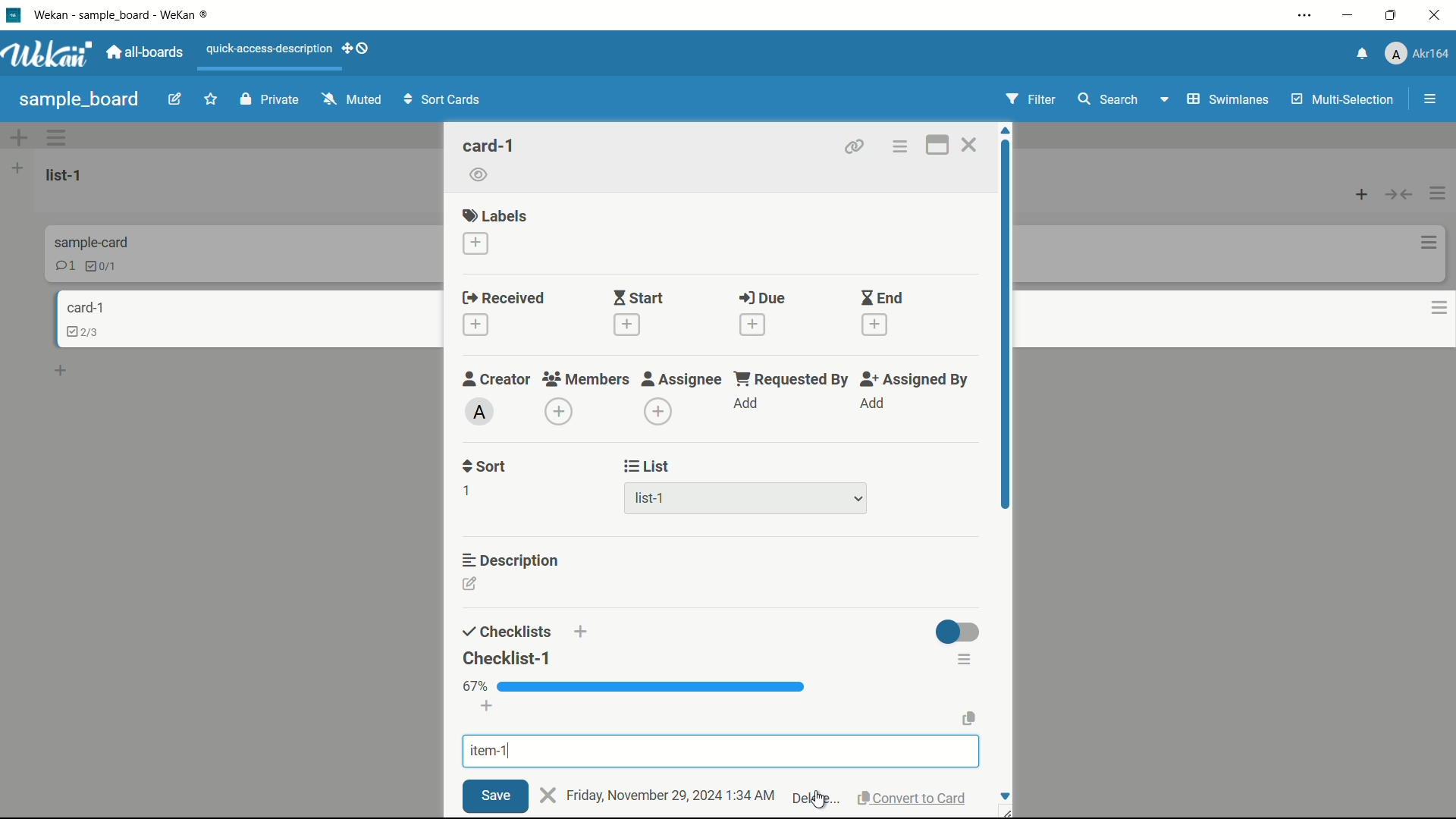 This screenshot has height=819, width=1456. I want to click on dekstop drag bar, so click(359, 50).